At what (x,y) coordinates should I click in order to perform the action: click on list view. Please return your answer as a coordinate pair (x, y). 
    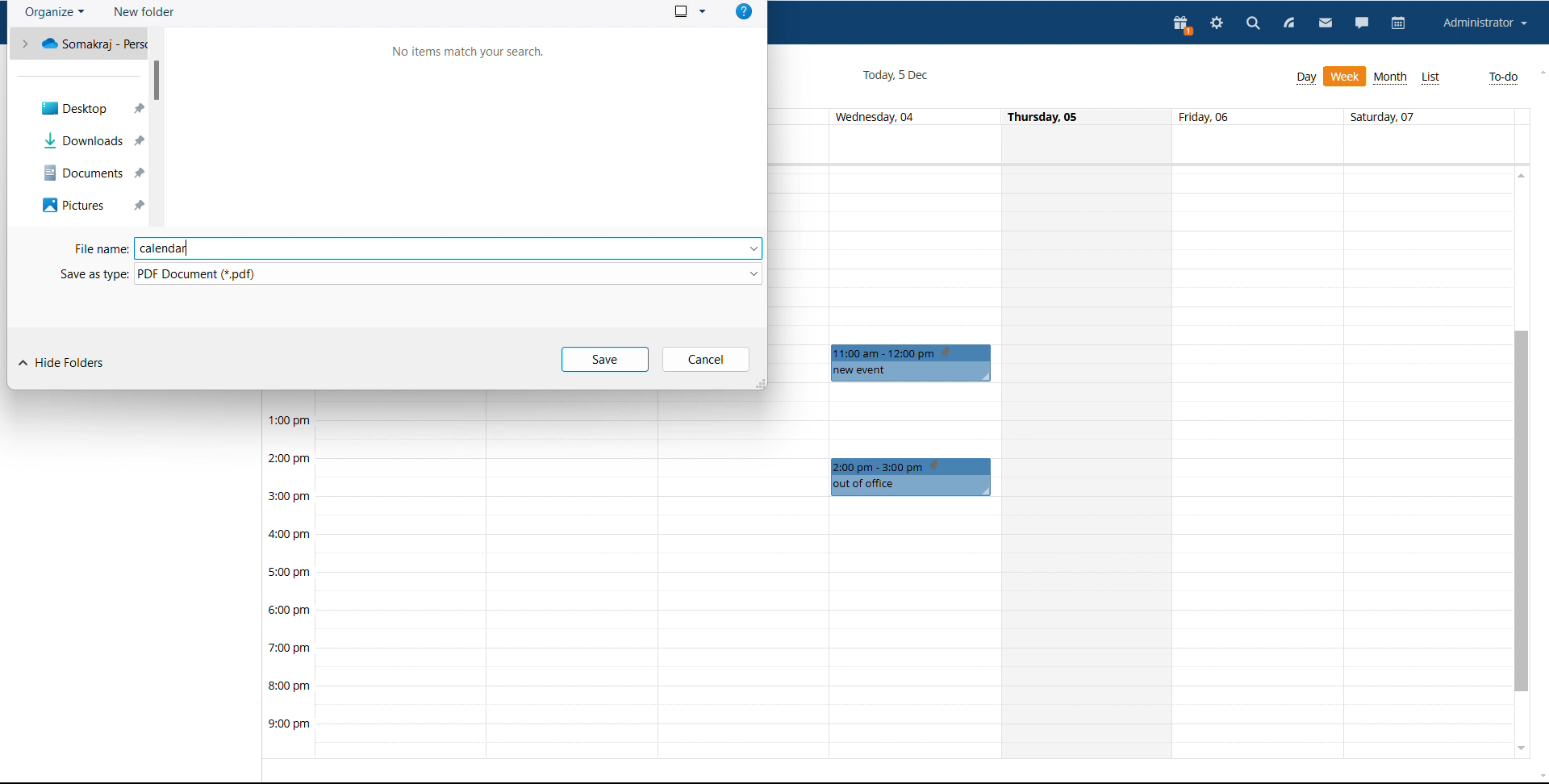
    Looking at the image, I should click on (1431, 78).